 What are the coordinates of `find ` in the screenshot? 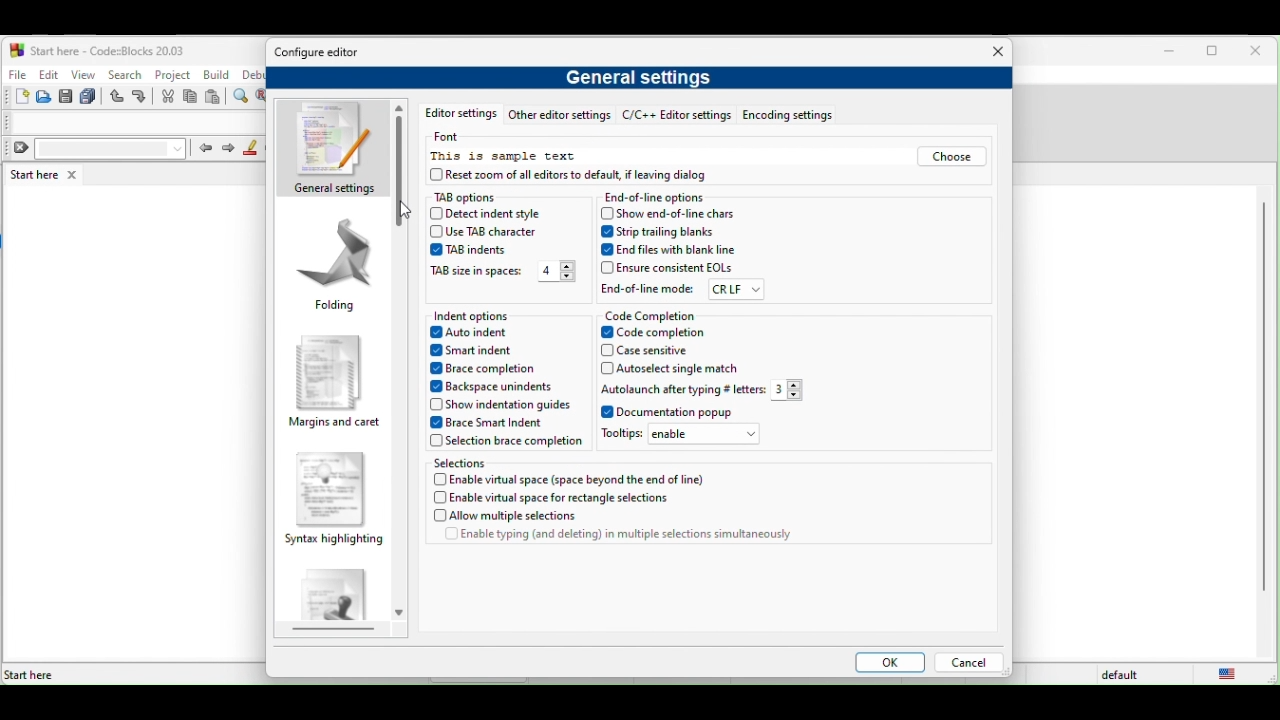 It's located at (243, 97).